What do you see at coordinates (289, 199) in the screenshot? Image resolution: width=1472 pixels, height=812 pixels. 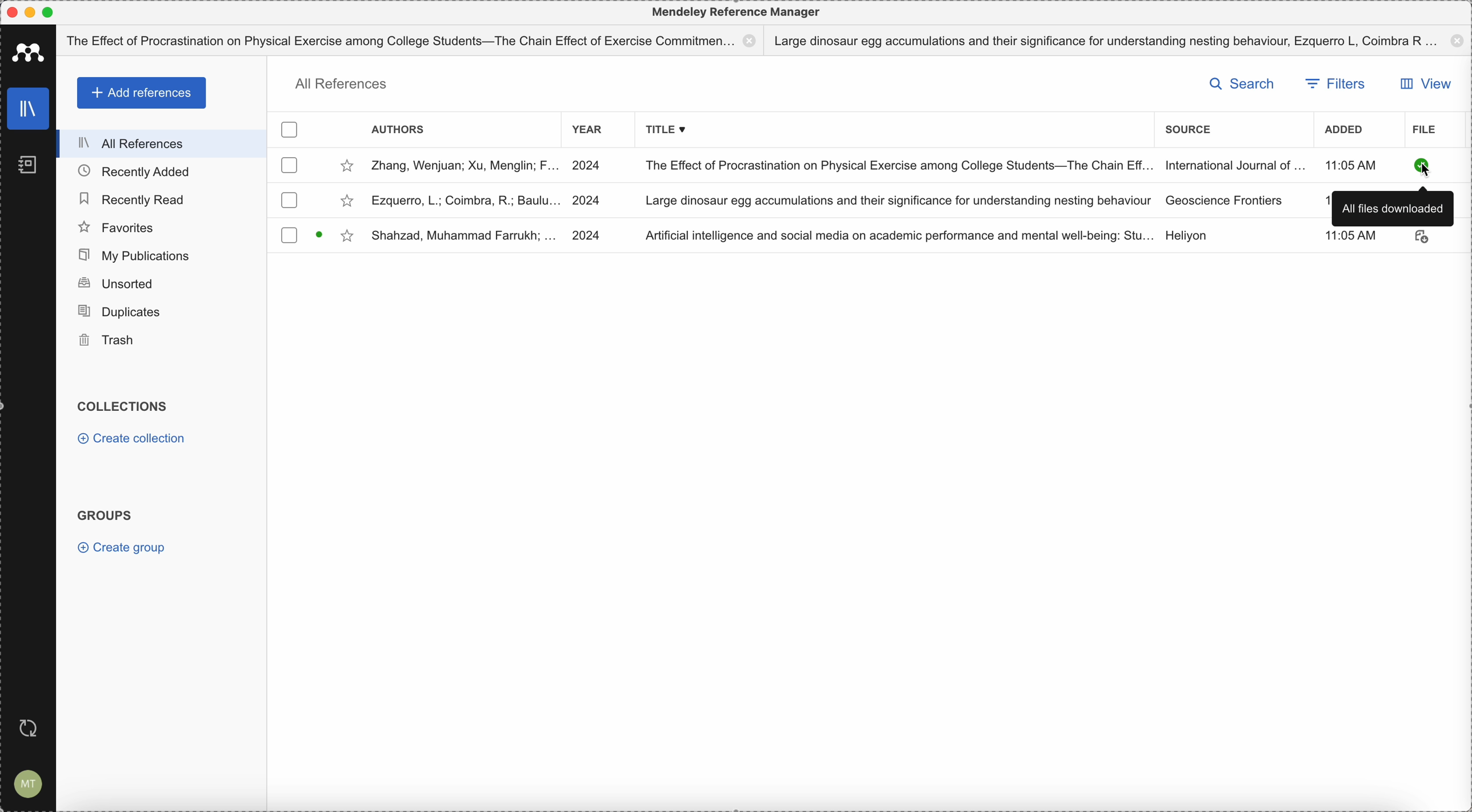 I see `checkbox` at bounding box center [289, 199].